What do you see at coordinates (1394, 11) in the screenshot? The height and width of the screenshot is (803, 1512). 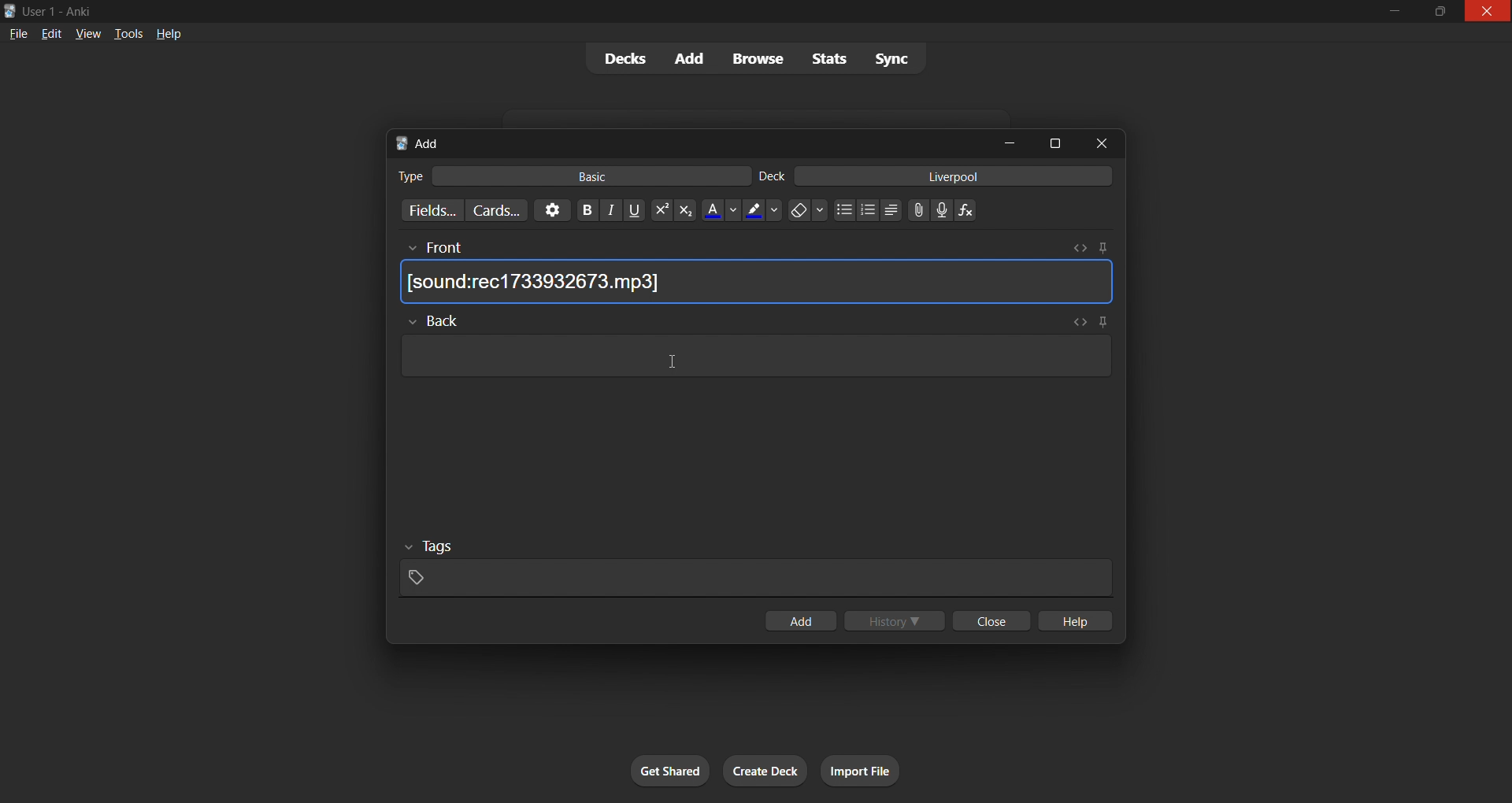 I see `minimize` at bounding box center [1394, 11].